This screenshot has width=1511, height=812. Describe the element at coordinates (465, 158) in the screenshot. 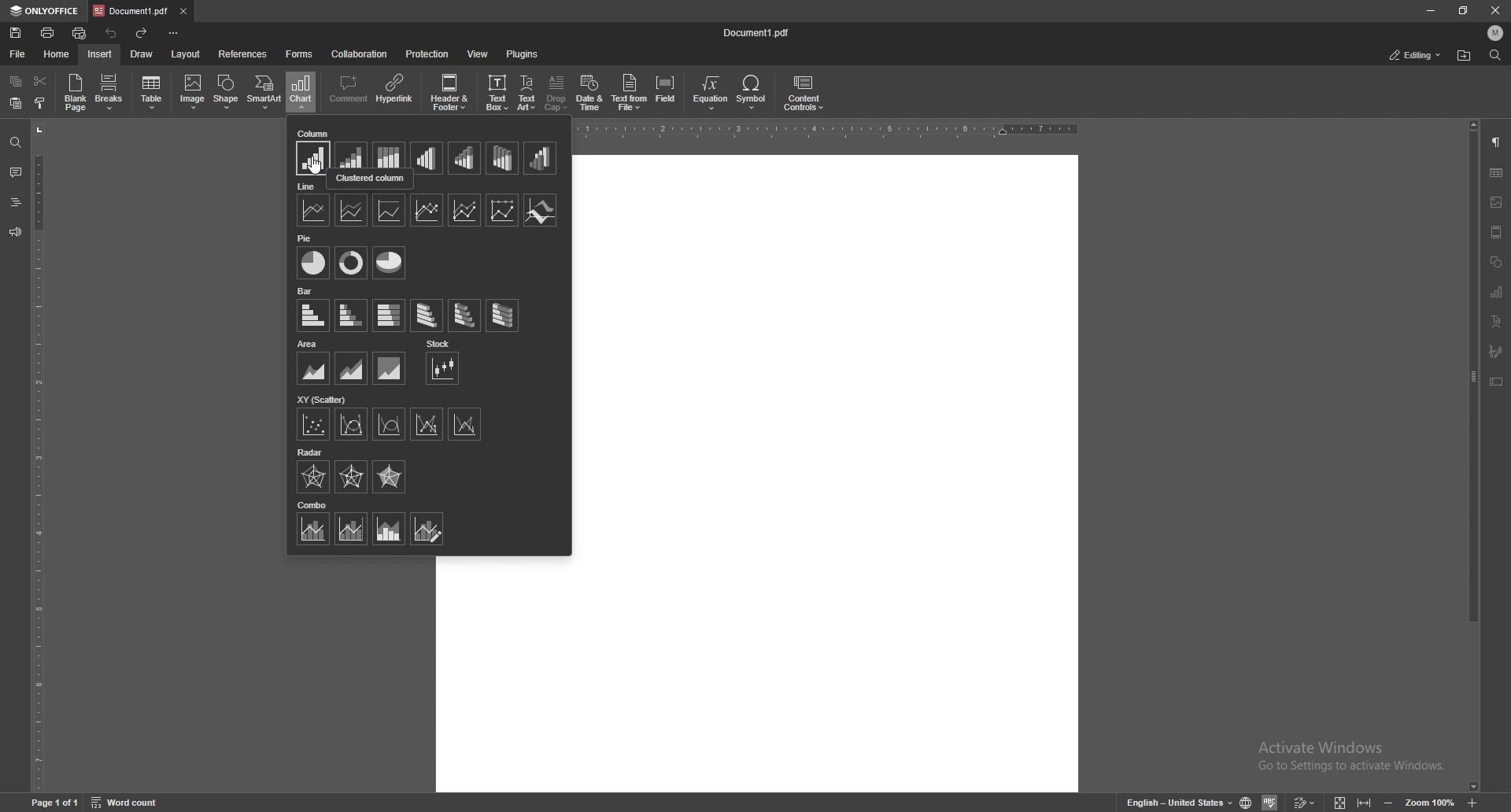

I see `3-D stacked column` at that location.